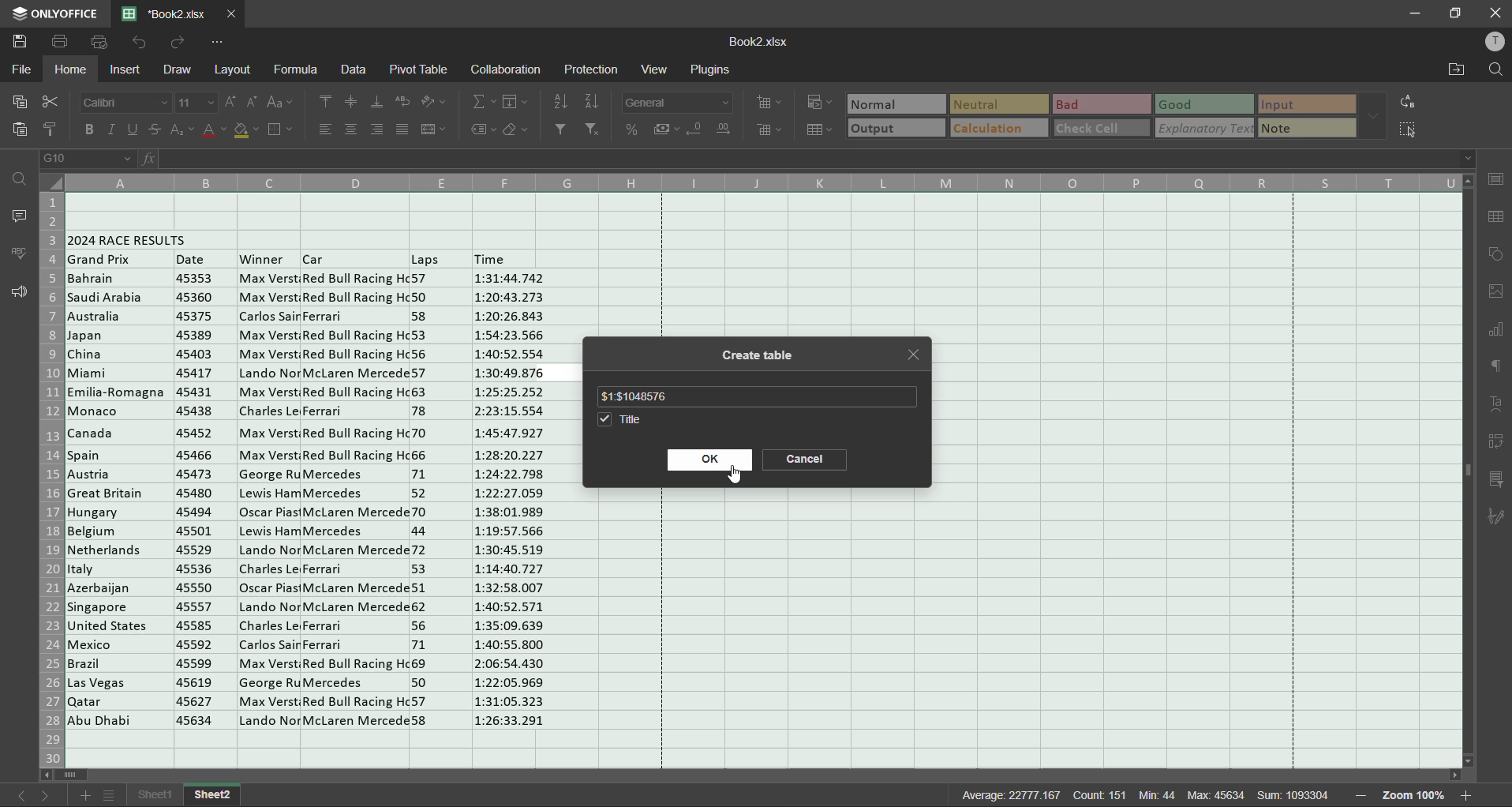 The width and height of the screenshot is (1512, 807). Describe the element at coordinates (1497, 179) in the screenshot. I see `cell settings` at that location.